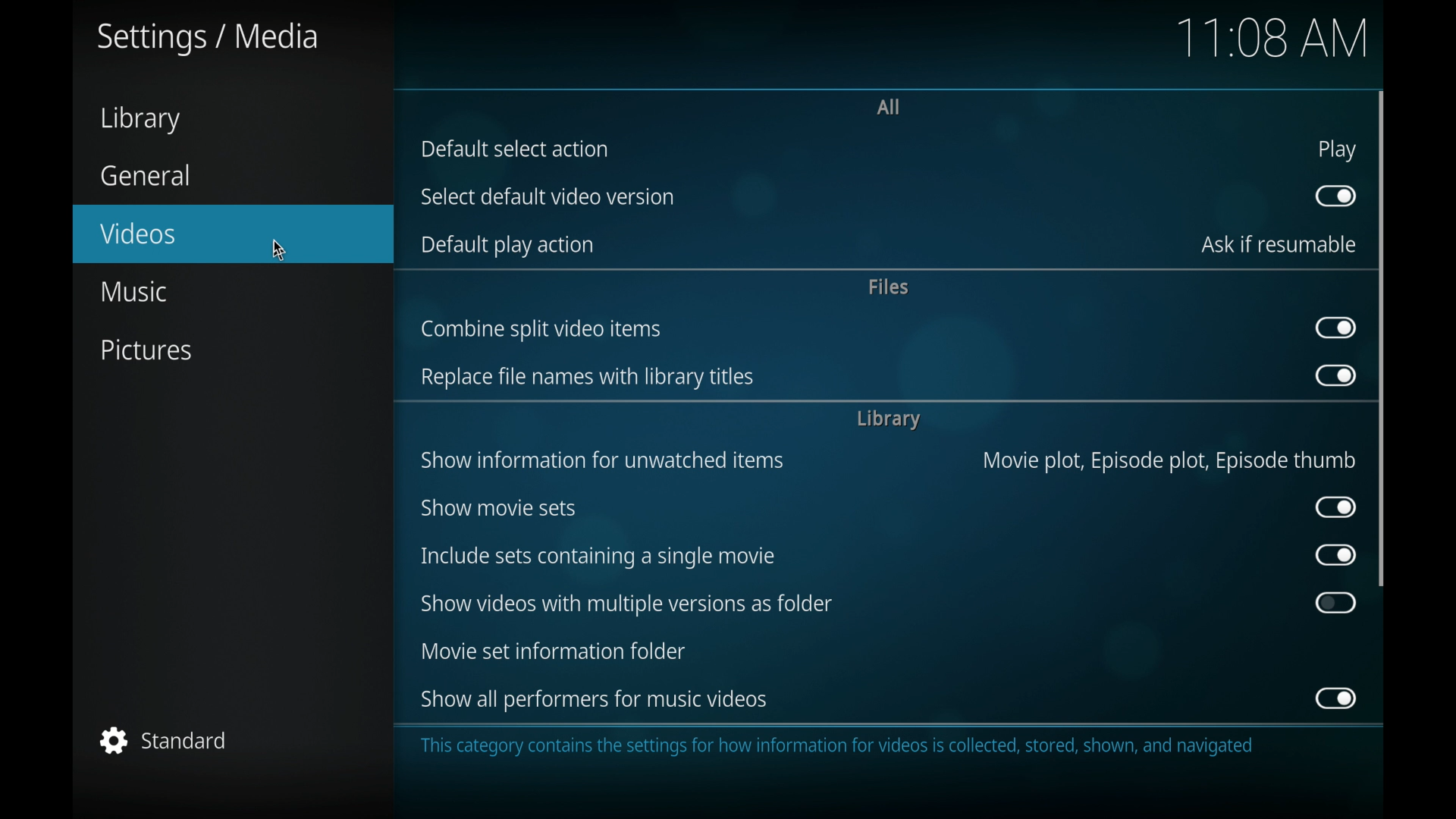 The width and height of the screenshot is (1456, 819). What do you see at coordinates (208, 39) in the screenshot?
I see `settings/media` at bounding box center [208, 39].